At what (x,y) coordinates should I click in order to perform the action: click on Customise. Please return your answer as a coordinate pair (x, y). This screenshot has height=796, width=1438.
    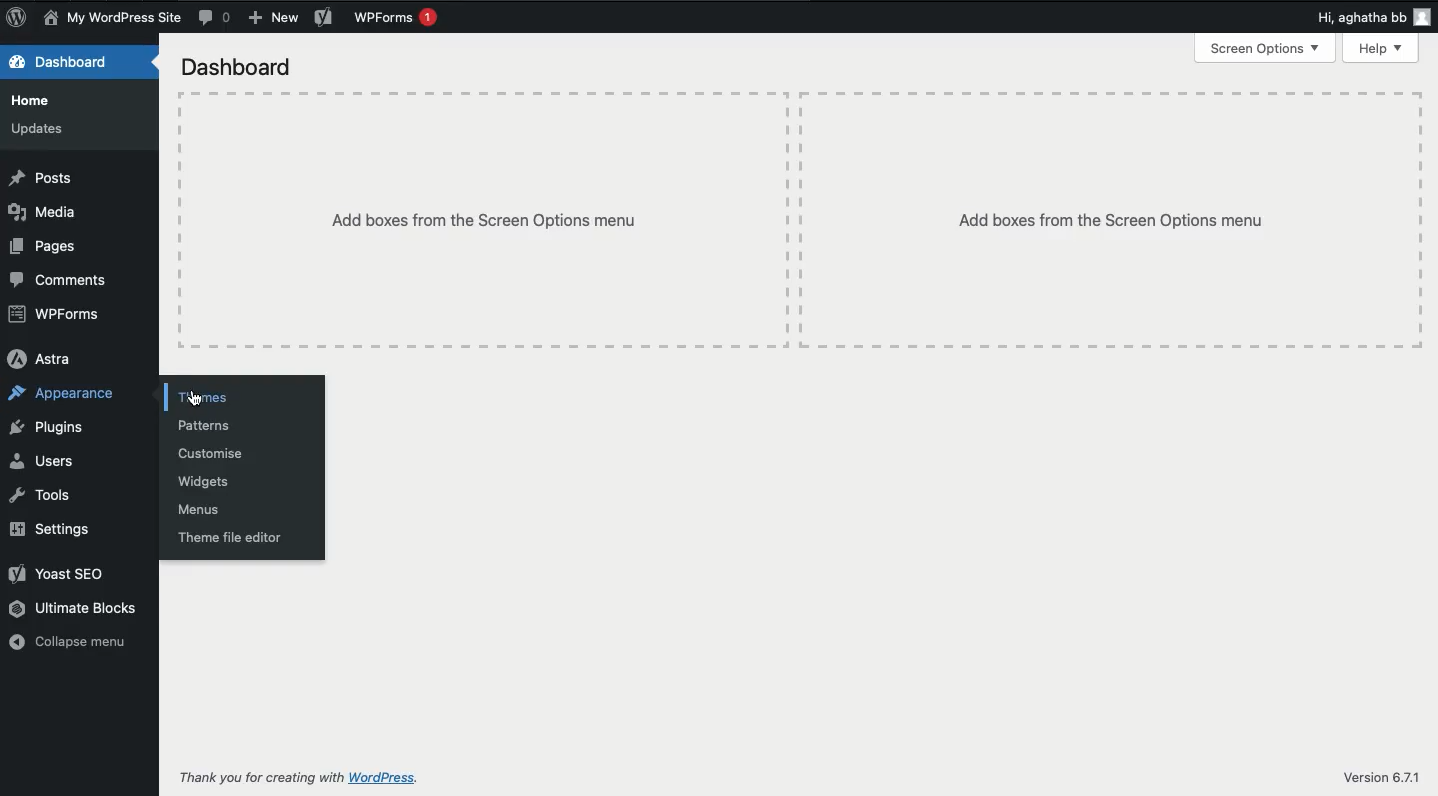
    Looking at the image, I should click on (209, 453).